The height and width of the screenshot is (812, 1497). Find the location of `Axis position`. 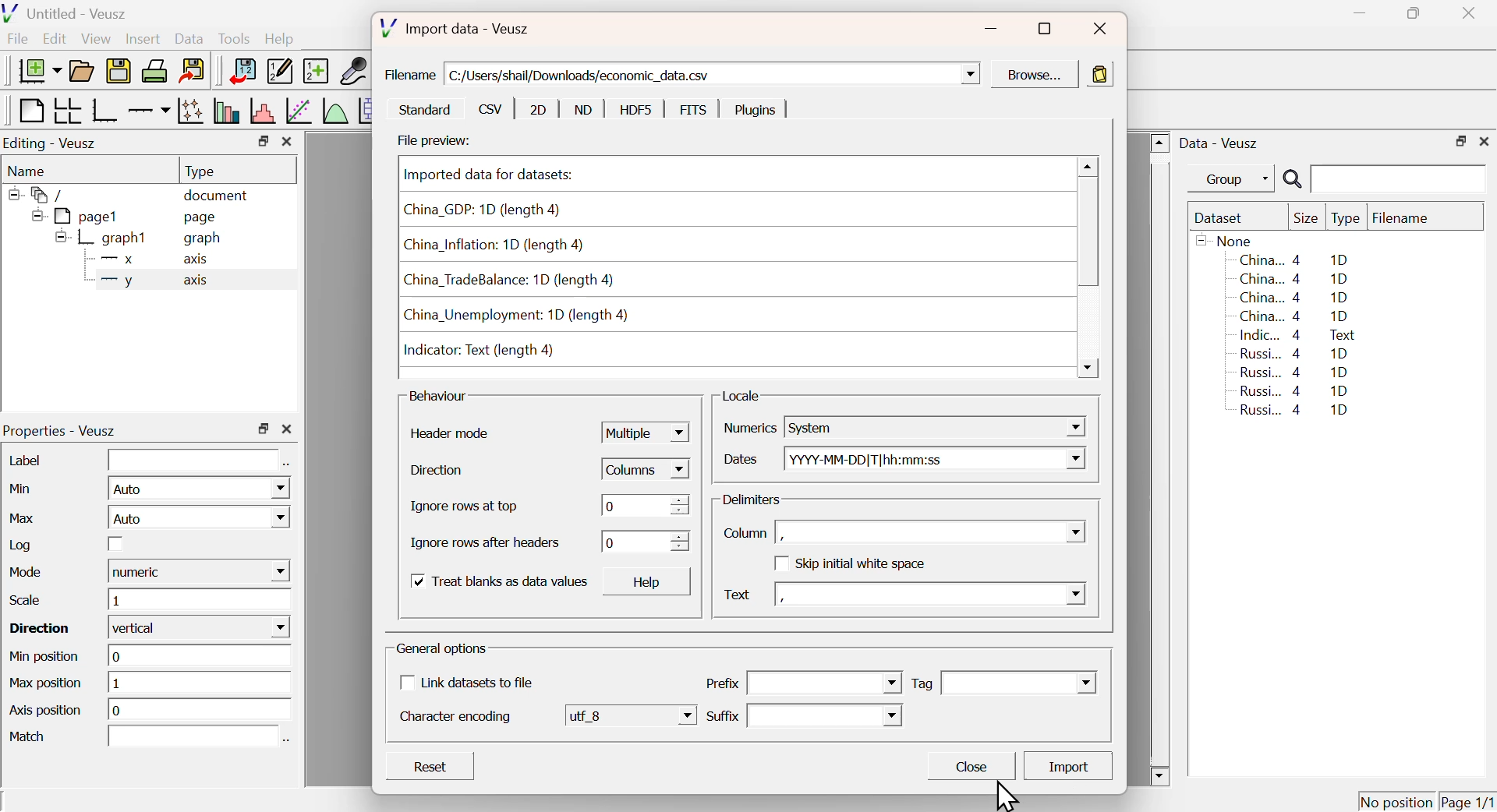

Axis position is located at coordinates (45, 712).